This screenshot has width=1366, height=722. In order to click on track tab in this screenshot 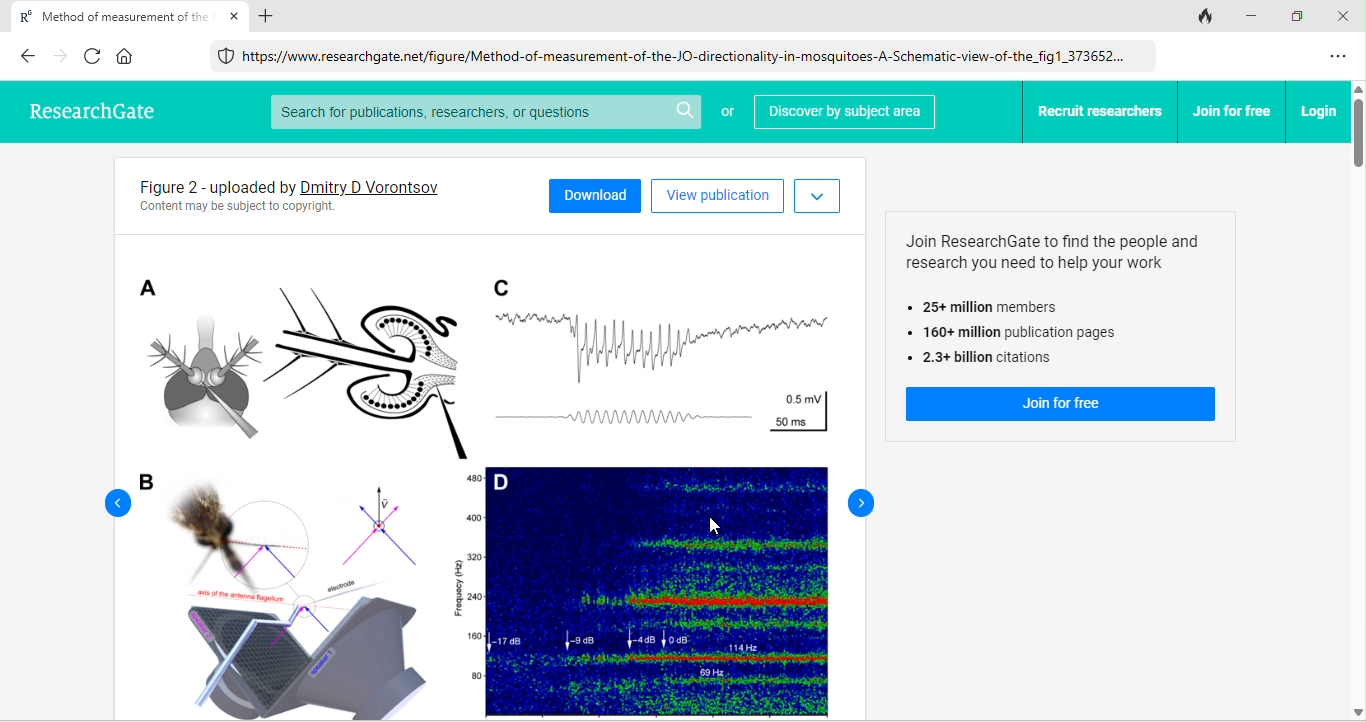, I will do `click(1206, 17)`.